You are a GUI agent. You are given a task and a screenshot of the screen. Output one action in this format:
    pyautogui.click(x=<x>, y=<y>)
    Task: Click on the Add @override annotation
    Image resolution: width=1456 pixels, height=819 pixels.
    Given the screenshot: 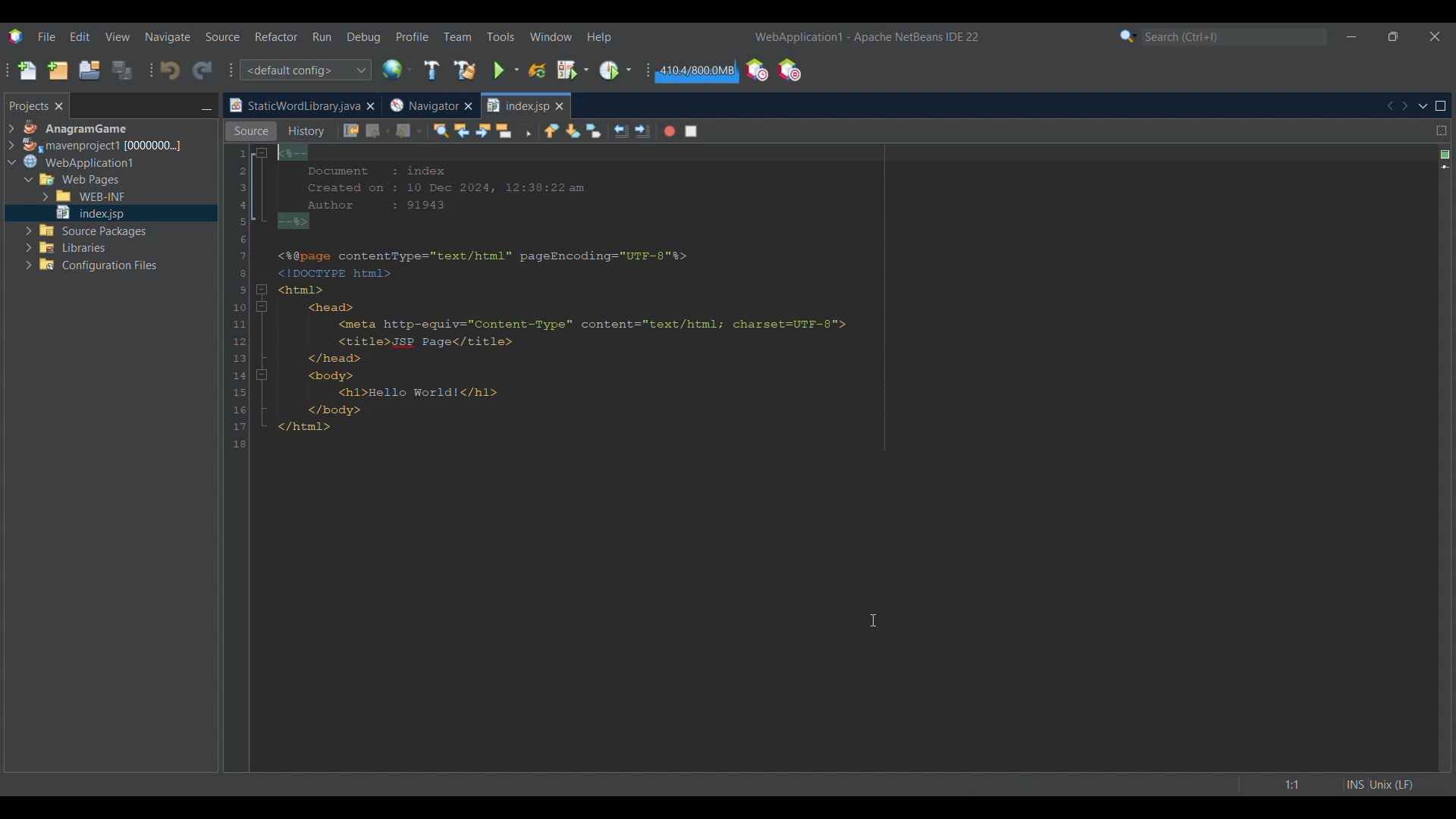 What is the action you would take?
    pyautogui.click(x=1445, y=666)
    